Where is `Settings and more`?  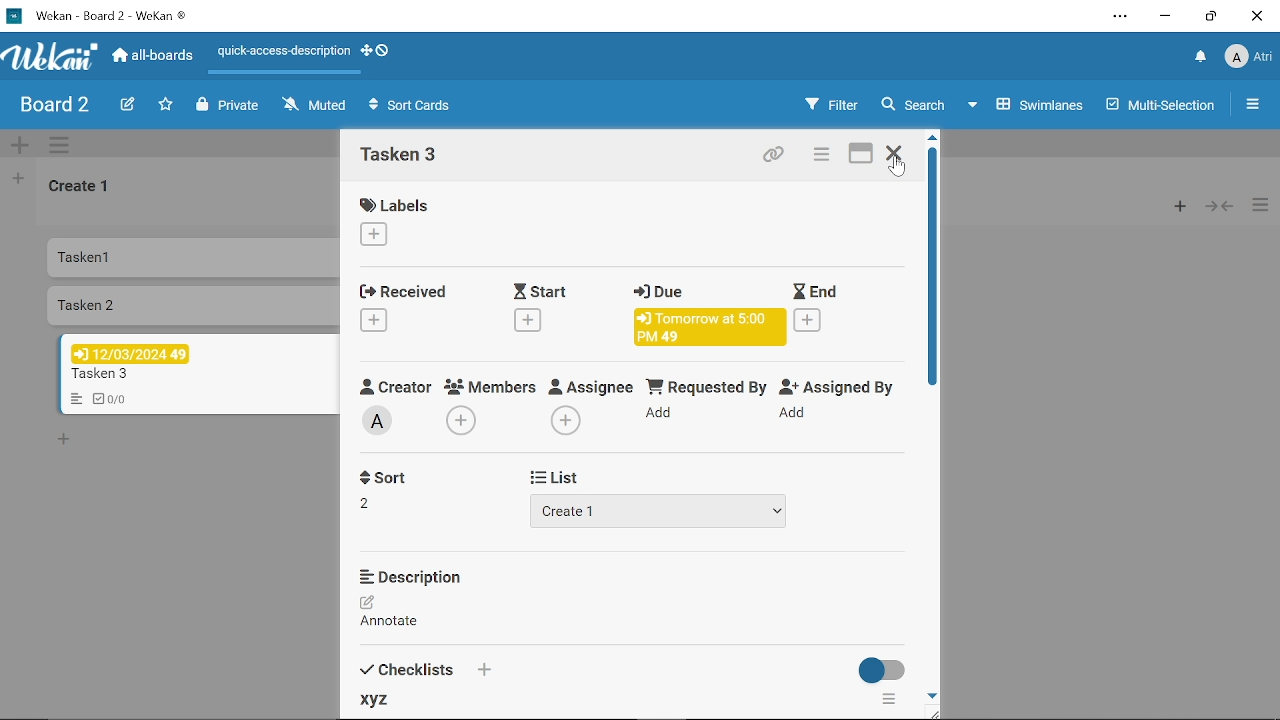 Settings and more is located at coordinates (1120, 16).